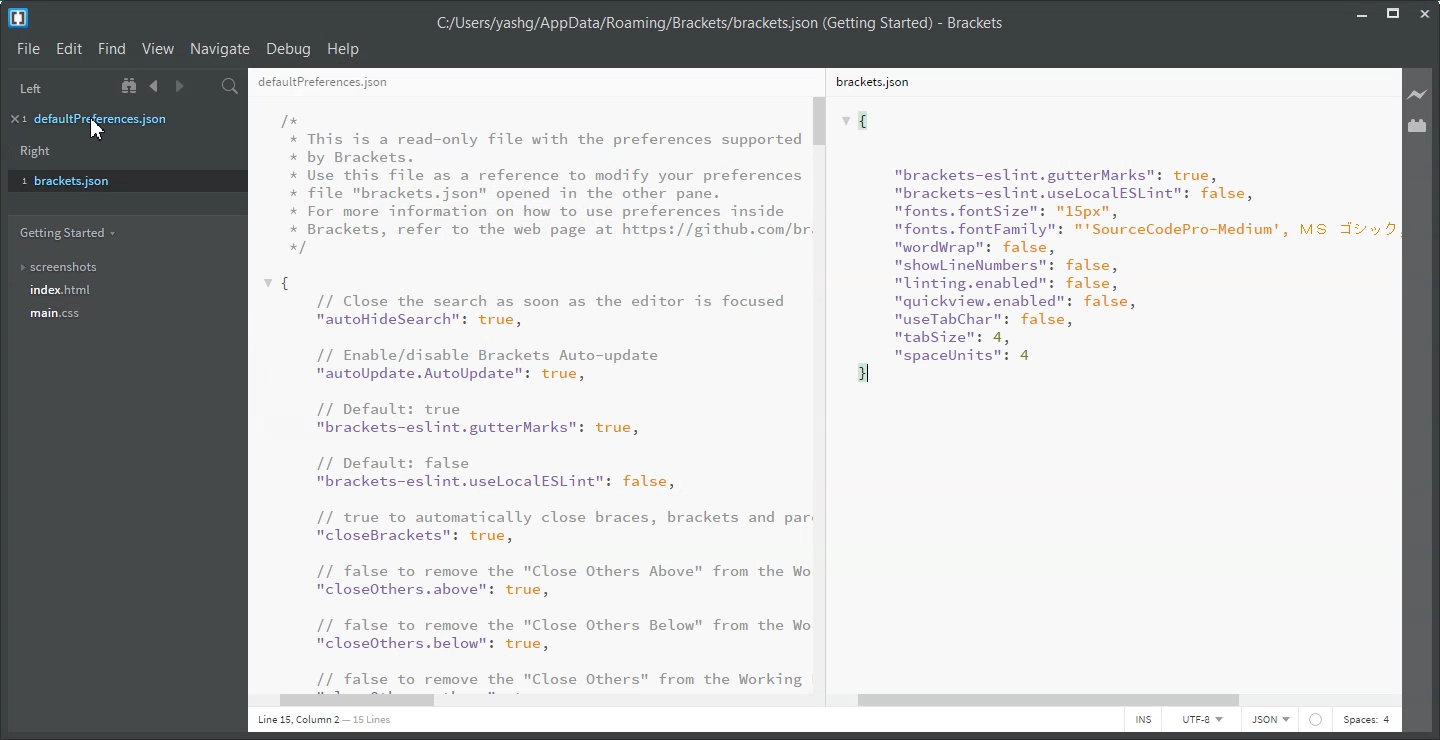 The height and width of the screenshot is (740, 1440). Describe the element at coordinates (526, 701) in the screenshot. I see `Horizontal Scroll Bar` at that location.